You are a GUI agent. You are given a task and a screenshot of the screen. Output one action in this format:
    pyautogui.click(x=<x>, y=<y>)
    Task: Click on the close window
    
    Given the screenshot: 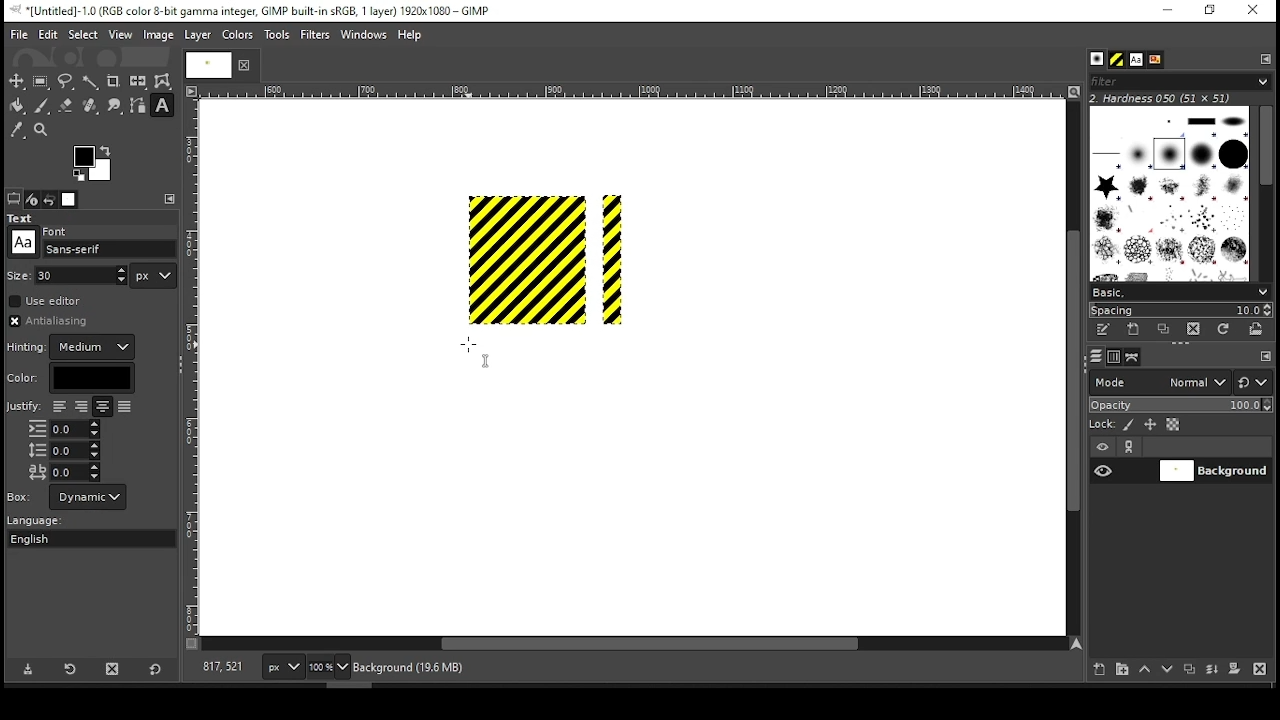 What is the action you would take?
    pyautogui.click(x=1252, y=11)
    